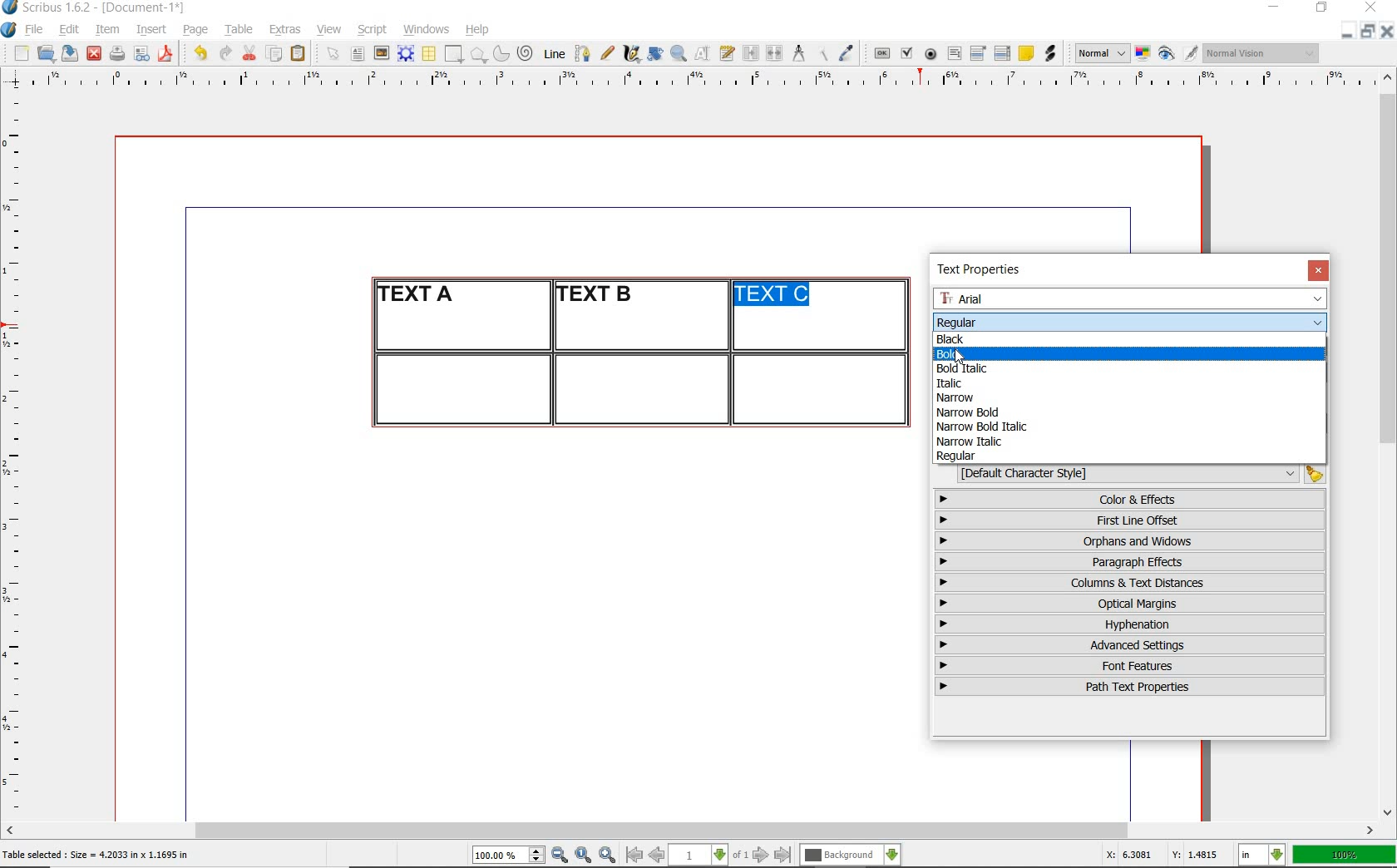 The height and width of the screenshot is (868, 1397). Describe the element at coordinates (727, 52) in the screenshot. I see `edit text with story editor` at that location.